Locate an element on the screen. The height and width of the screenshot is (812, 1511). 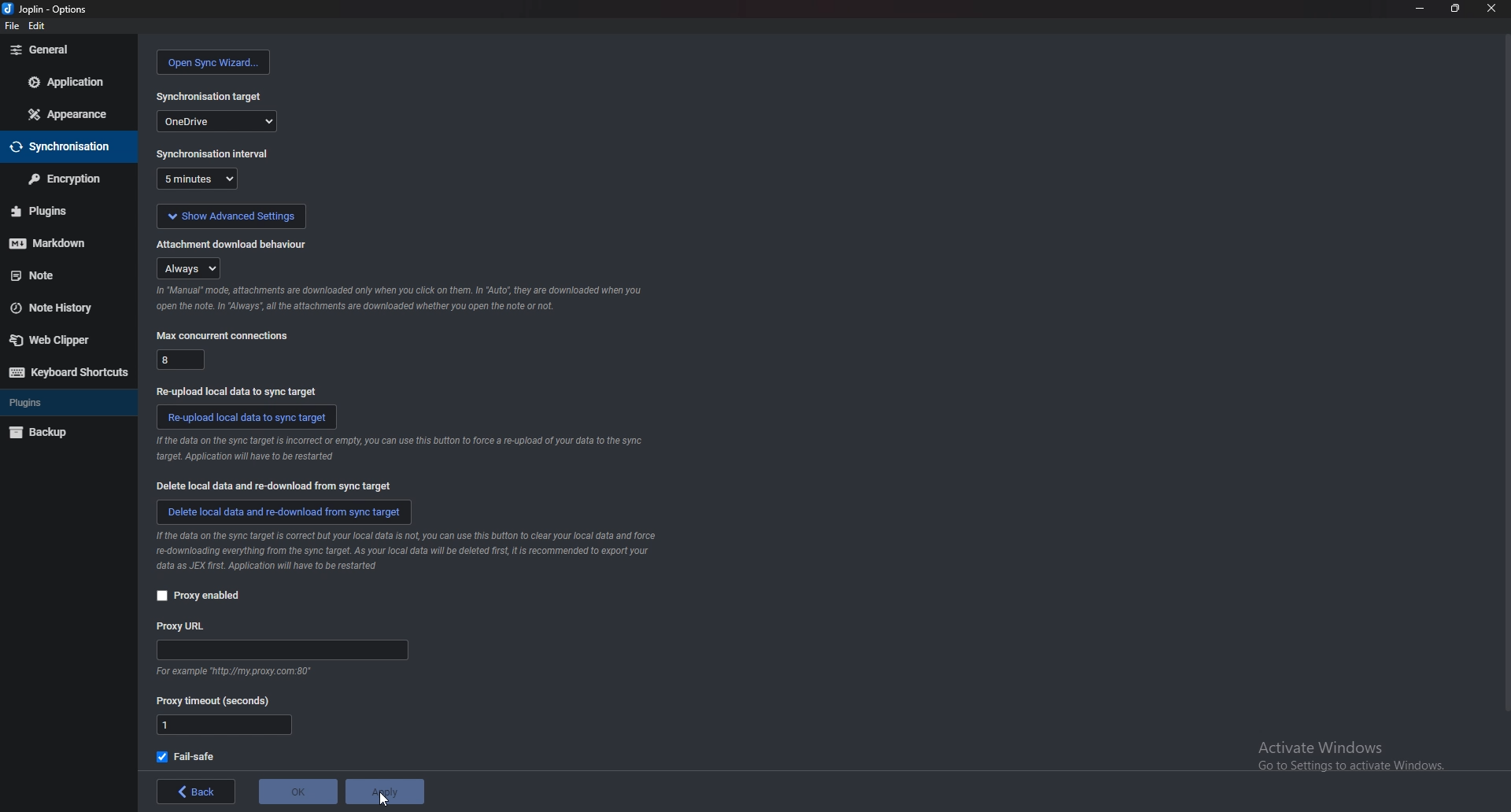
ok is located at coordinates (297, 792).